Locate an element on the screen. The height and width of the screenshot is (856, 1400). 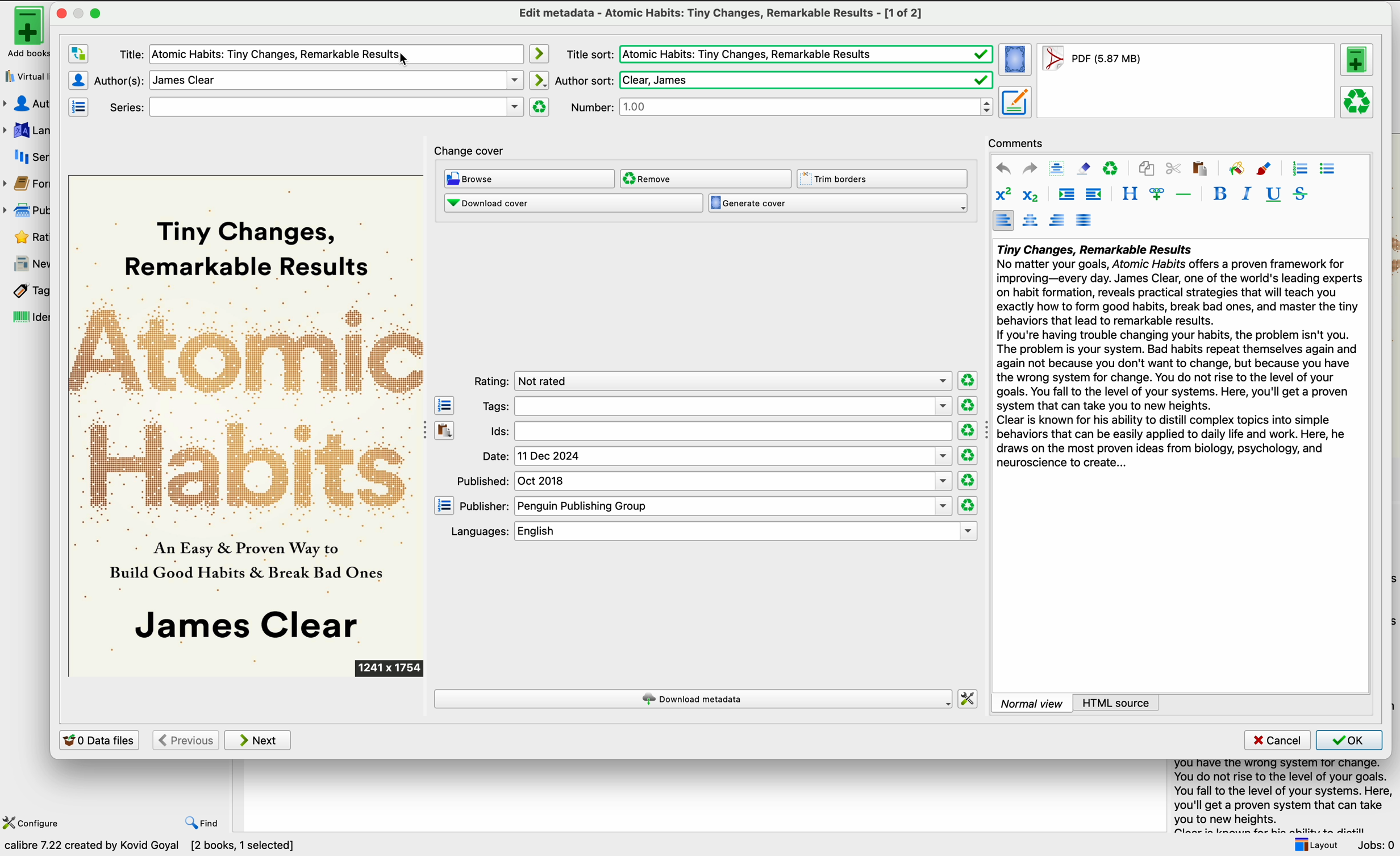
ordered list is located at coordinates (1299, 169).